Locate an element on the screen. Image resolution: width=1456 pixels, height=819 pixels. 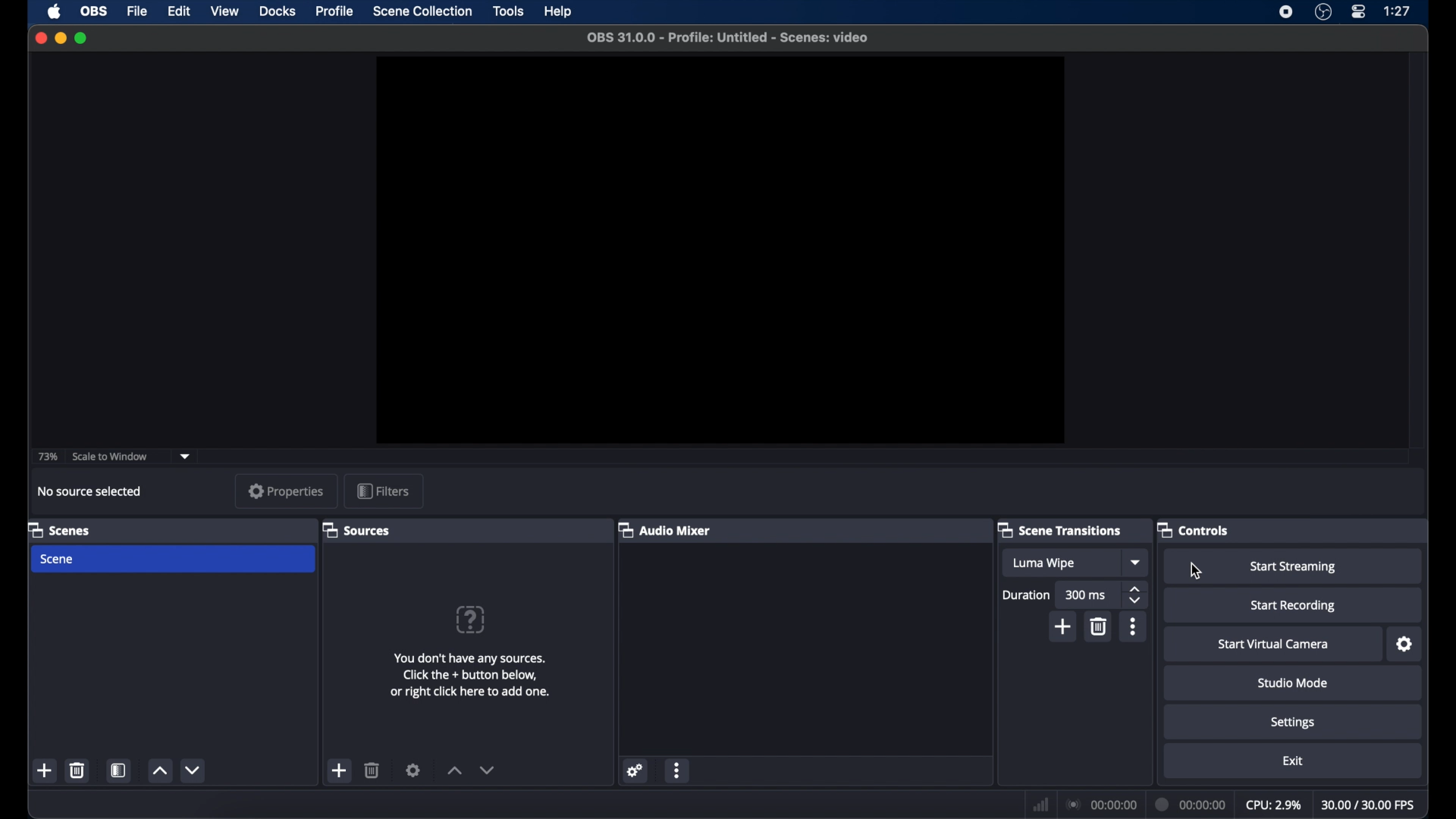
duration is located at coordinates (1027, 595).